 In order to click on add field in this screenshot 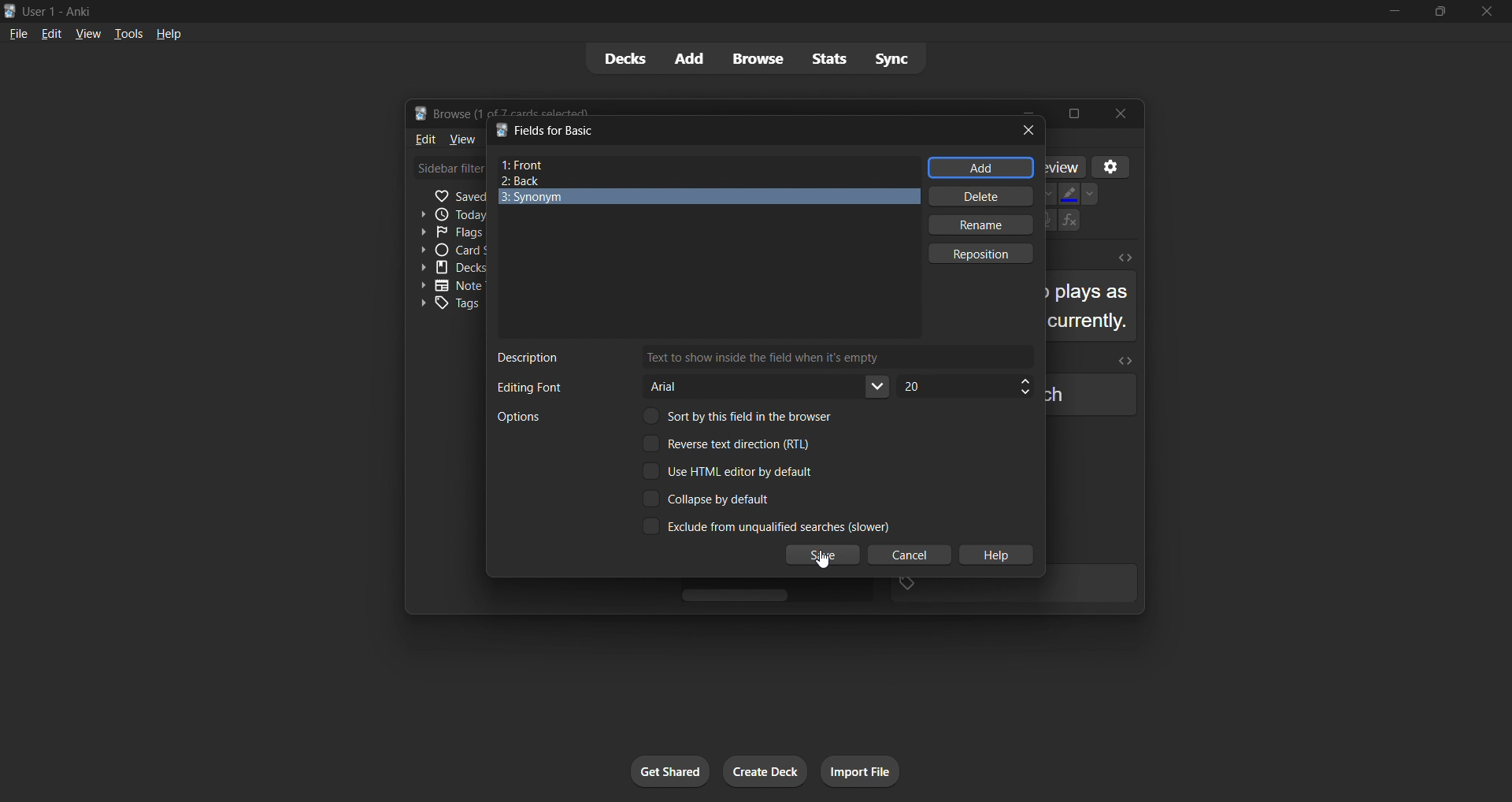, I will do `click(984, 168)`.